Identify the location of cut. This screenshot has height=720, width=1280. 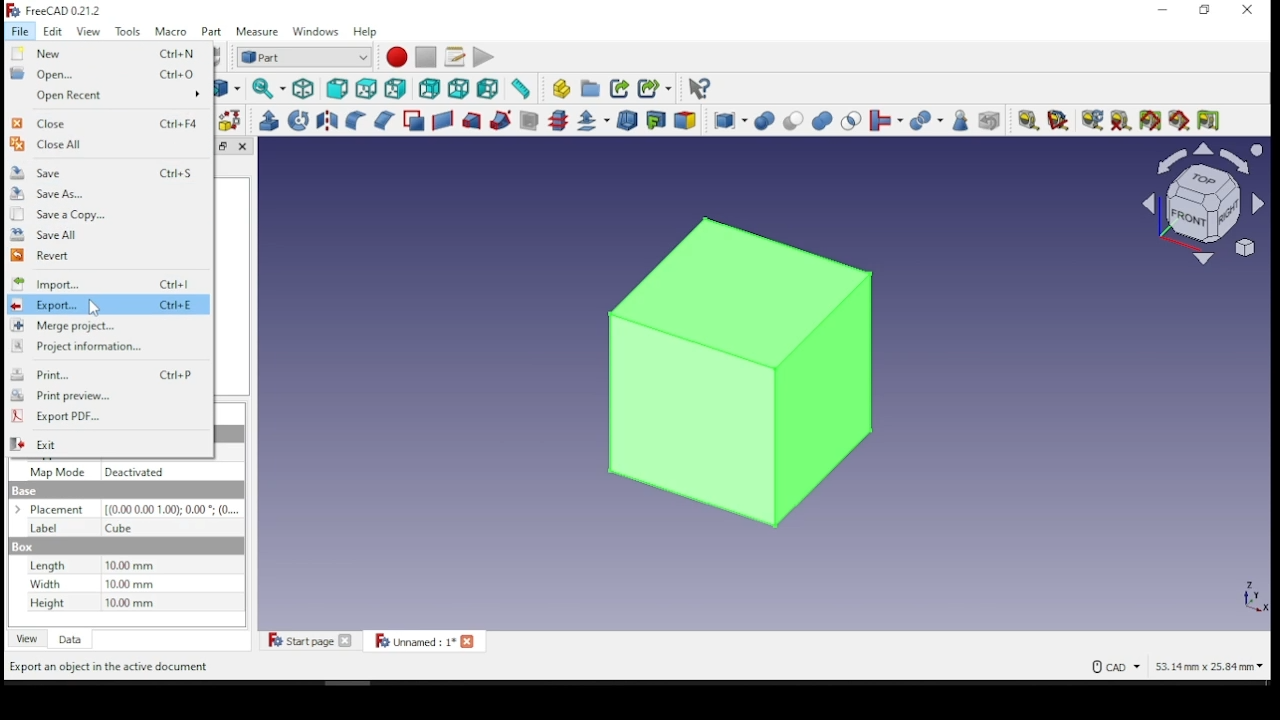
(794, 120).